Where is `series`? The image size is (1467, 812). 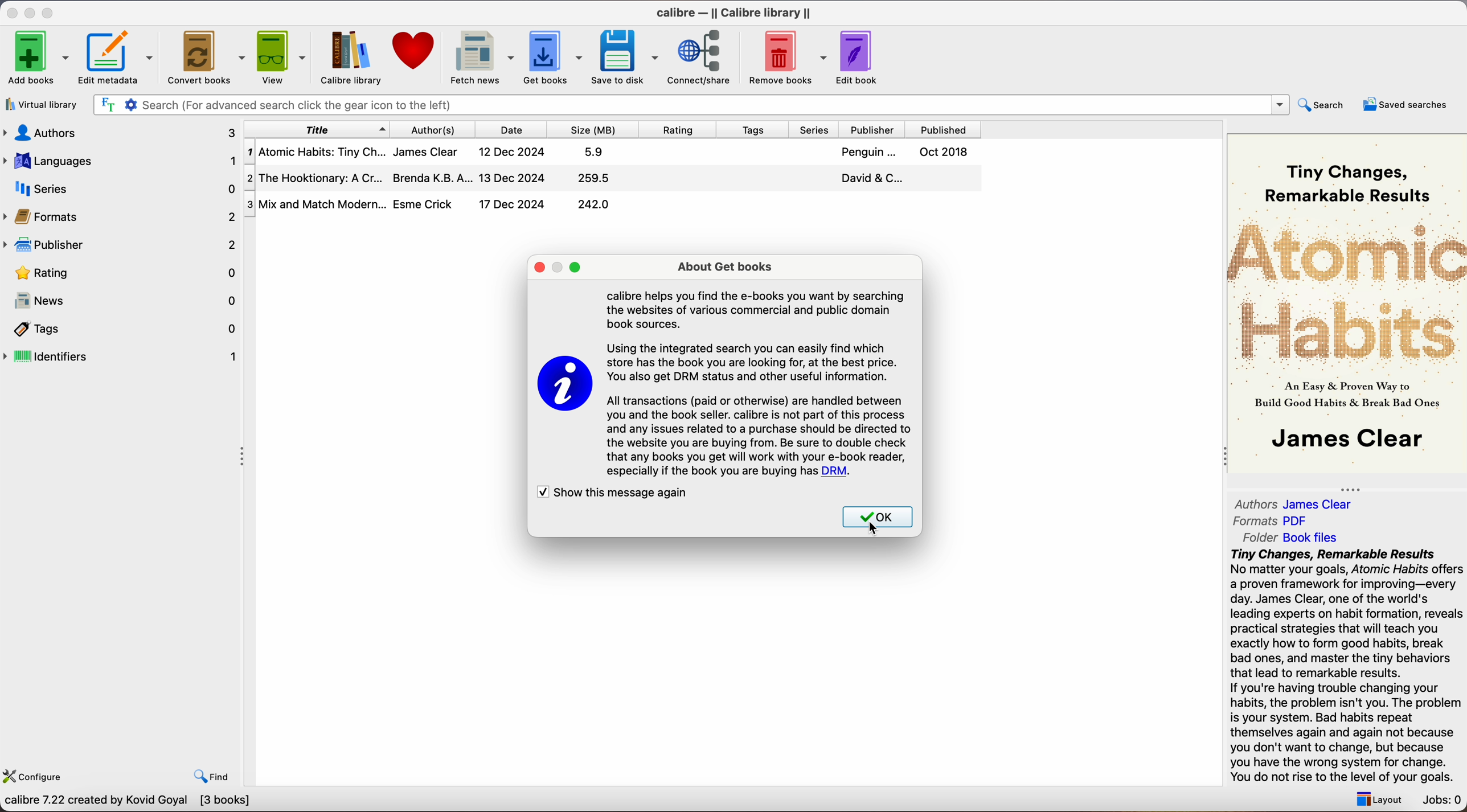
series is located at coordinates (819, 130).